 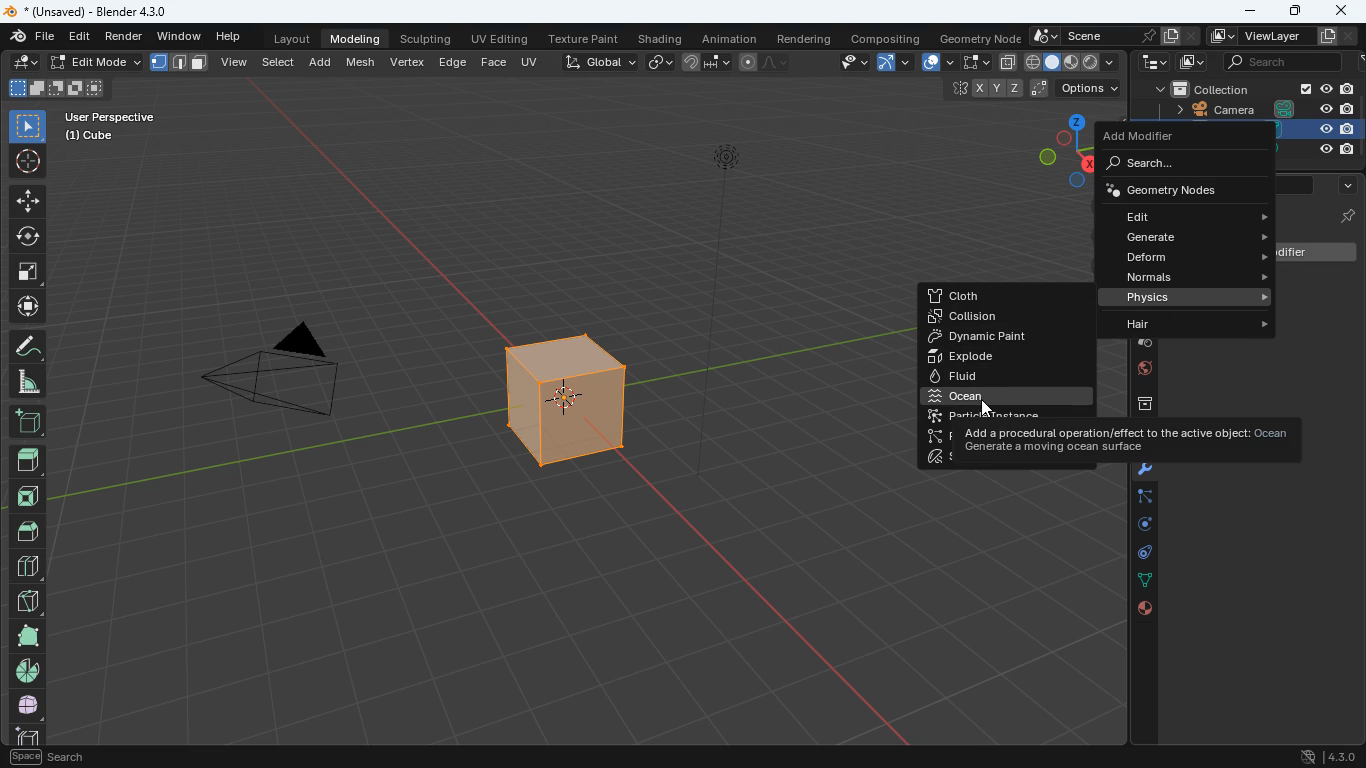 What do you see at coordinates (452, 61) in the screenshot?
I see `edge` at bounding box center [452, 61].